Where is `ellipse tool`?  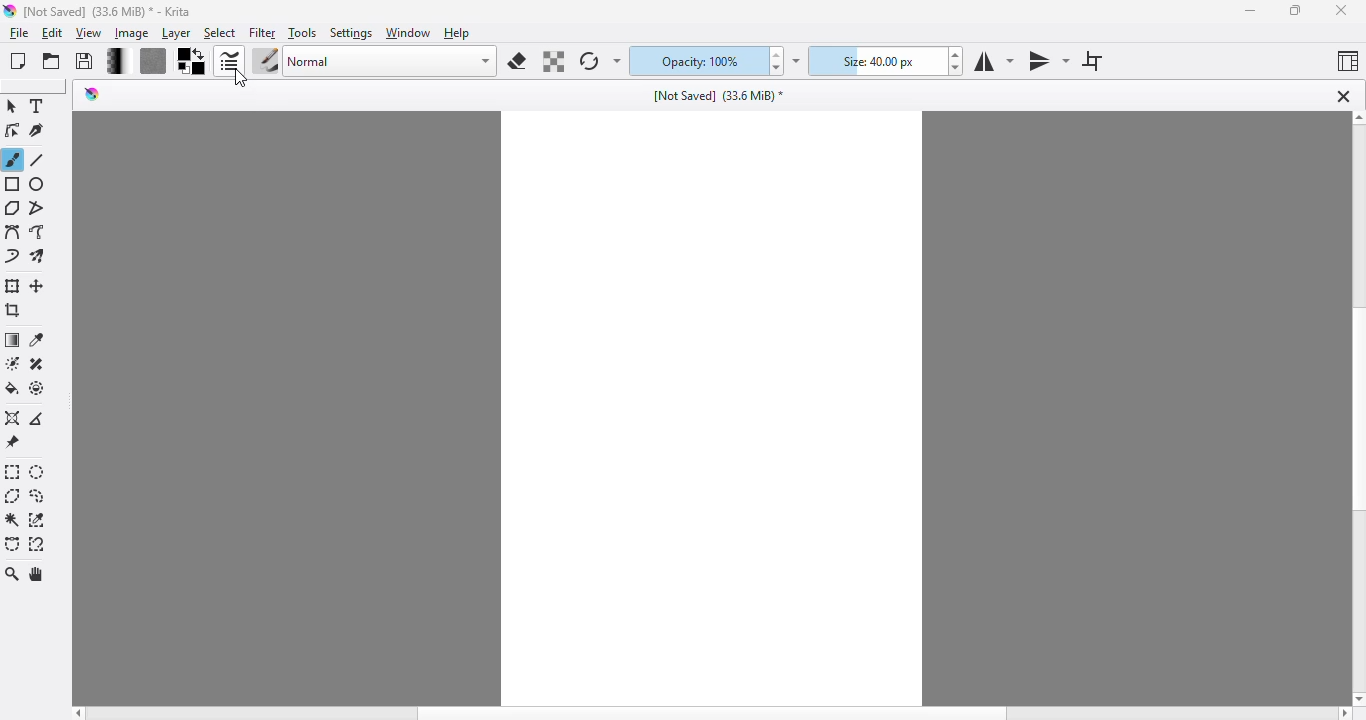
ellipse tool is located at coordinates (38, 185).